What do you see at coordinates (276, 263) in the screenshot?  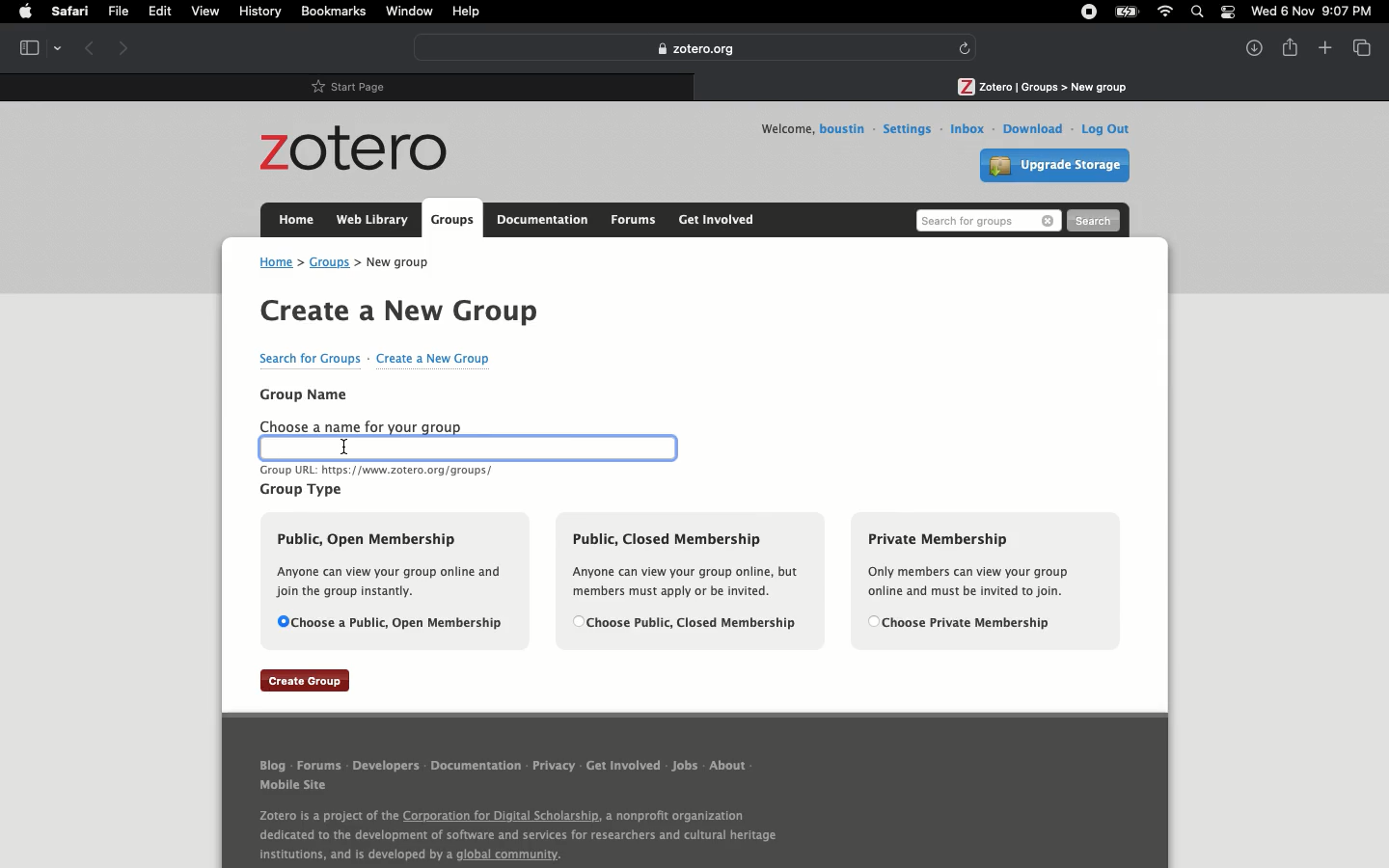 I see `Home` at bounding box center [276, 263].